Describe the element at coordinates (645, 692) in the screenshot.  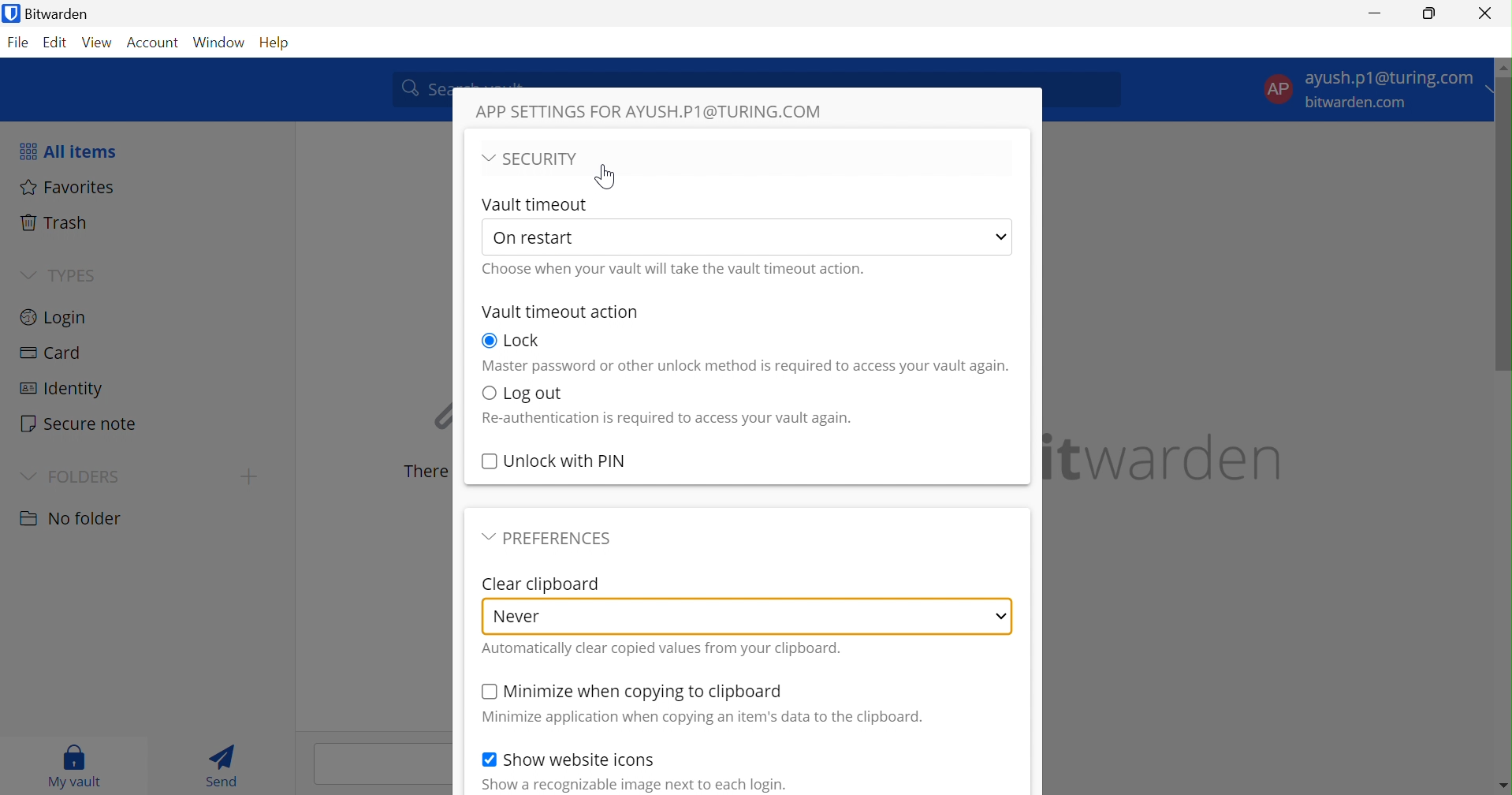
I see `Minimize when copying to clipboard` at that location.